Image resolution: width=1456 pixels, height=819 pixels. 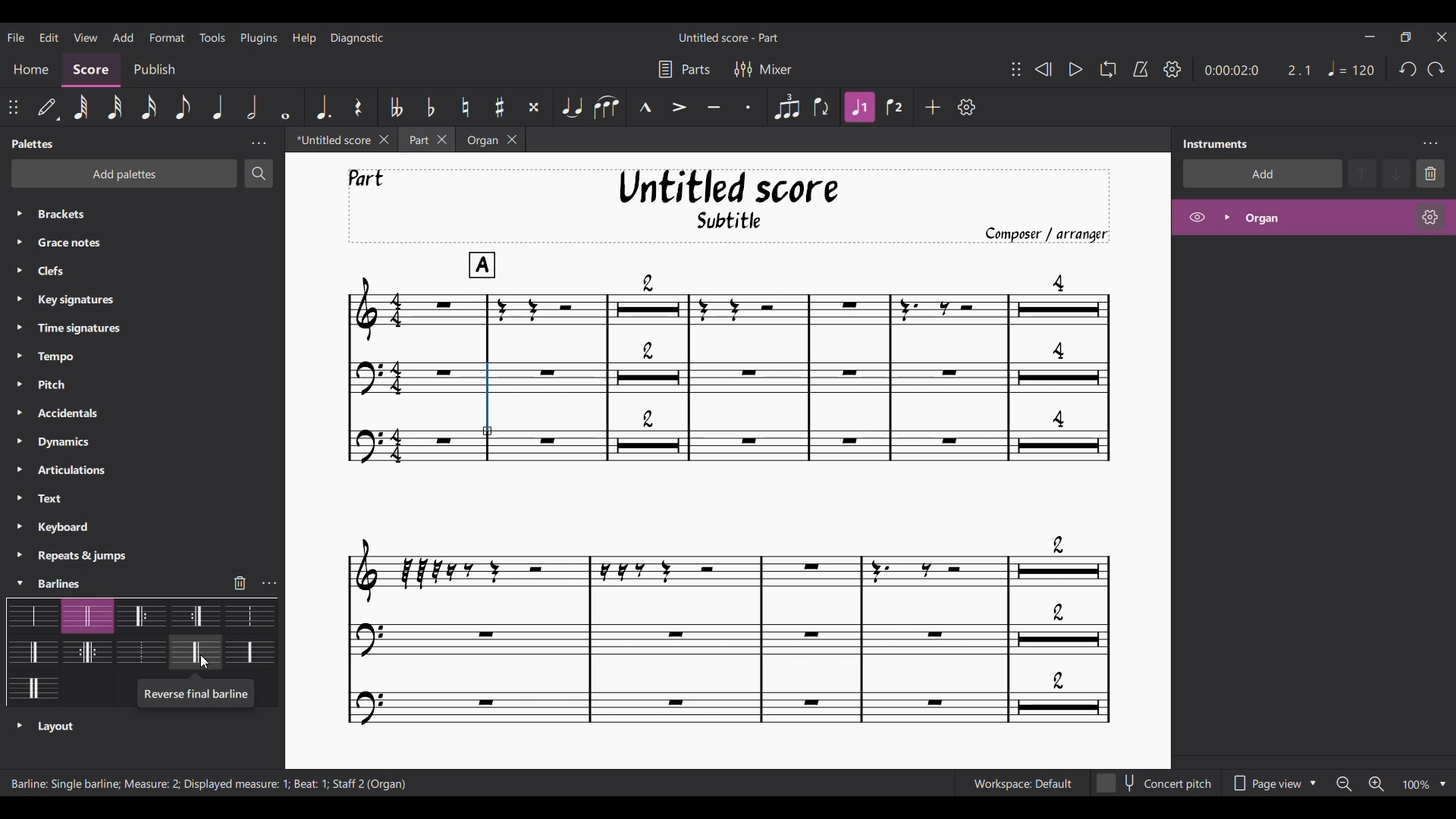 What do you see at coordinates (1431, 174) in the screenshot?
I see `Delete` at bounding box center [1431, 174].